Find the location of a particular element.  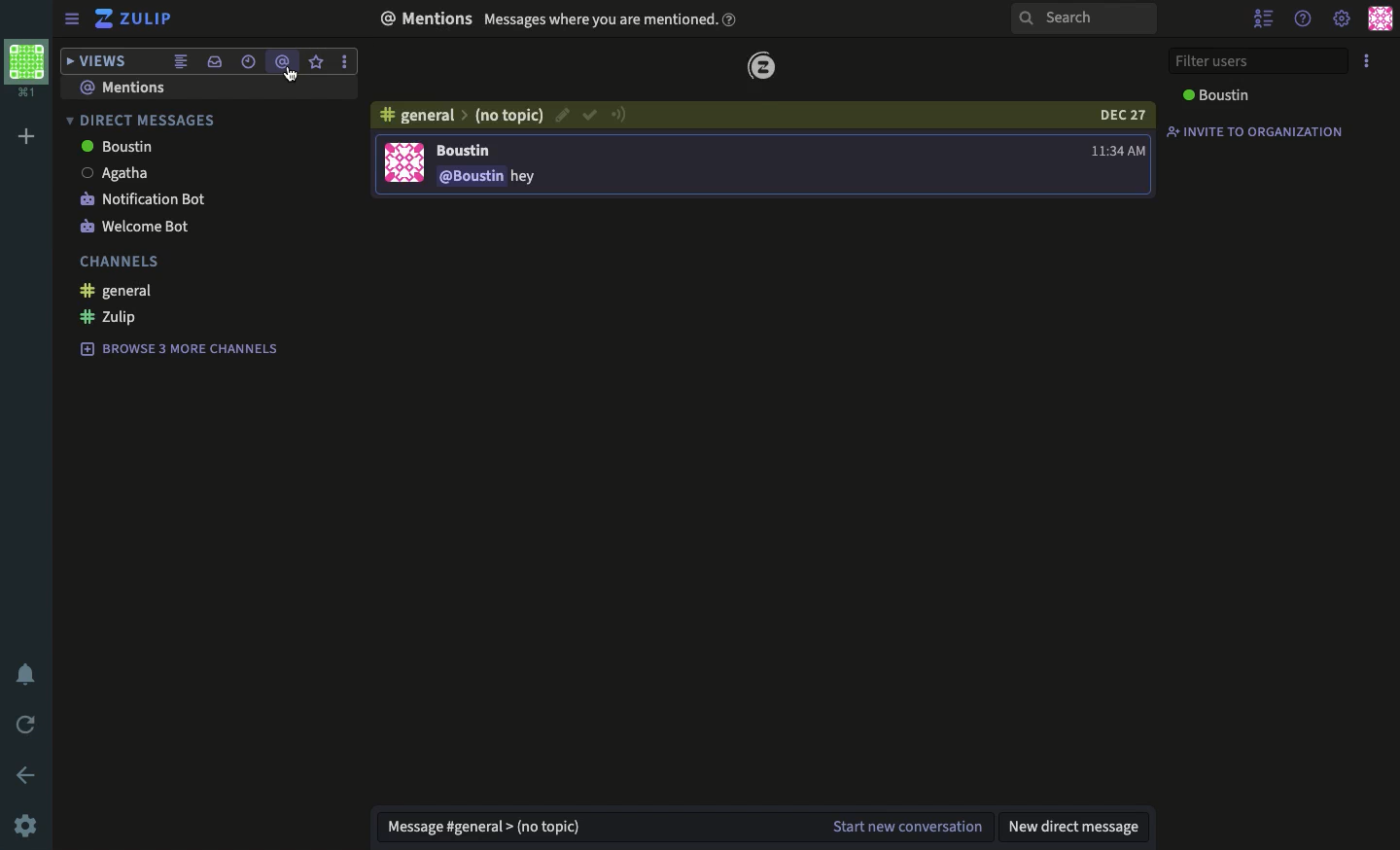

welcome bot is located at coordinates (135, 226).